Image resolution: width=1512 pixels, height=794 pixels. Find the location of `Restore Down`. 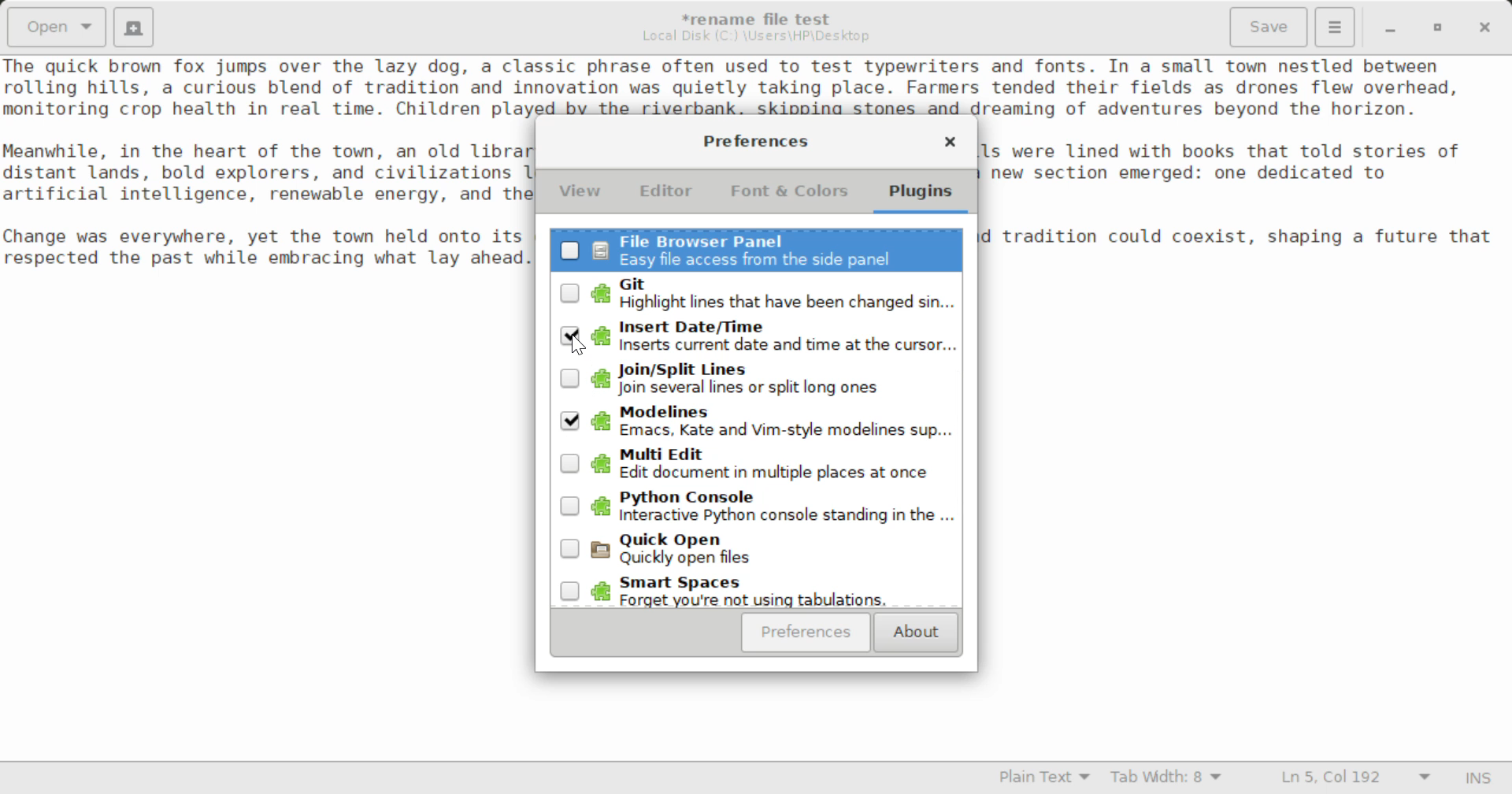

Restore Down is located at coordinates (1388, 28).